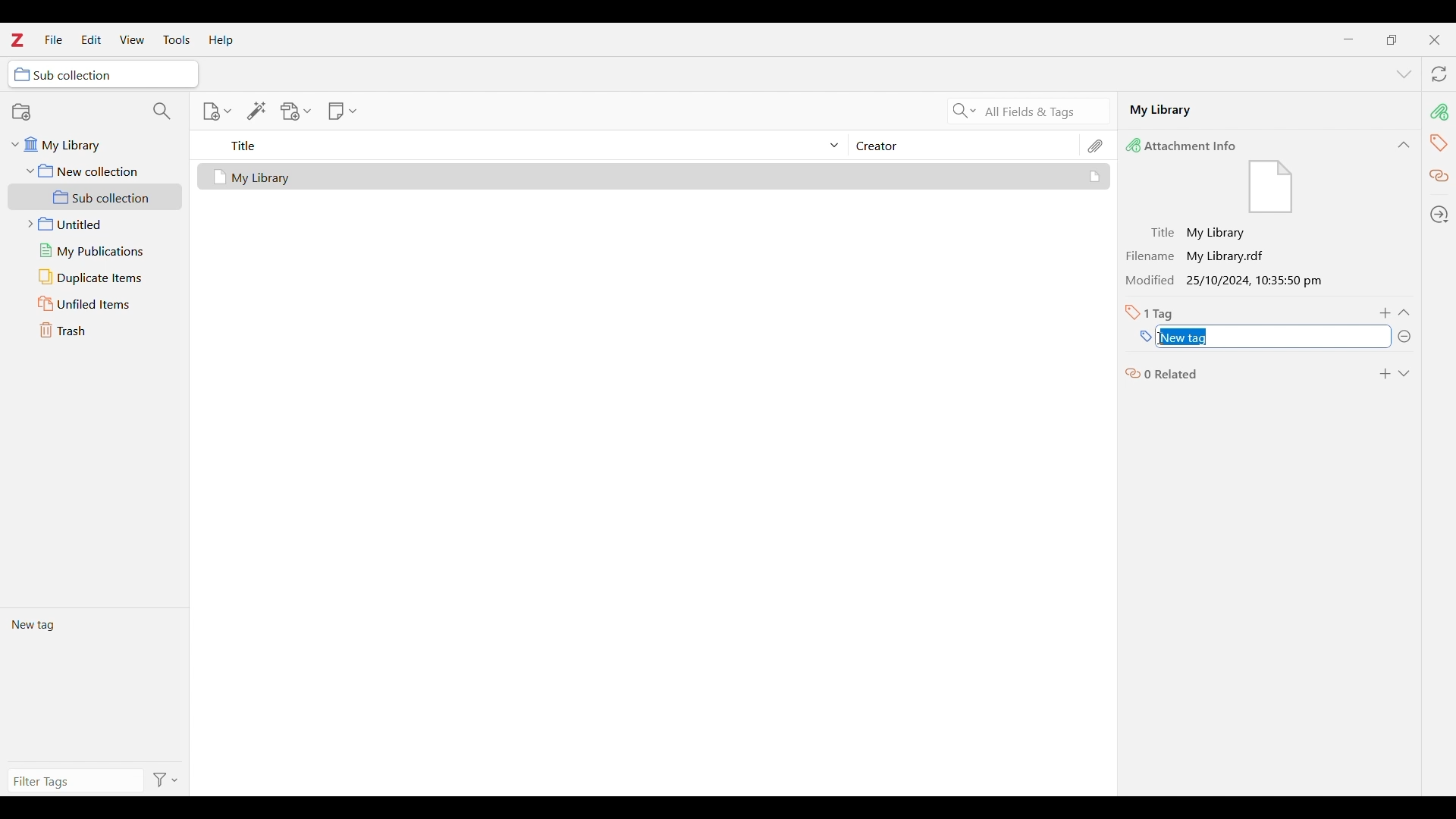 This screenshot has width=1456, height=819. I want to click on Close interface, so click(1434, 39).